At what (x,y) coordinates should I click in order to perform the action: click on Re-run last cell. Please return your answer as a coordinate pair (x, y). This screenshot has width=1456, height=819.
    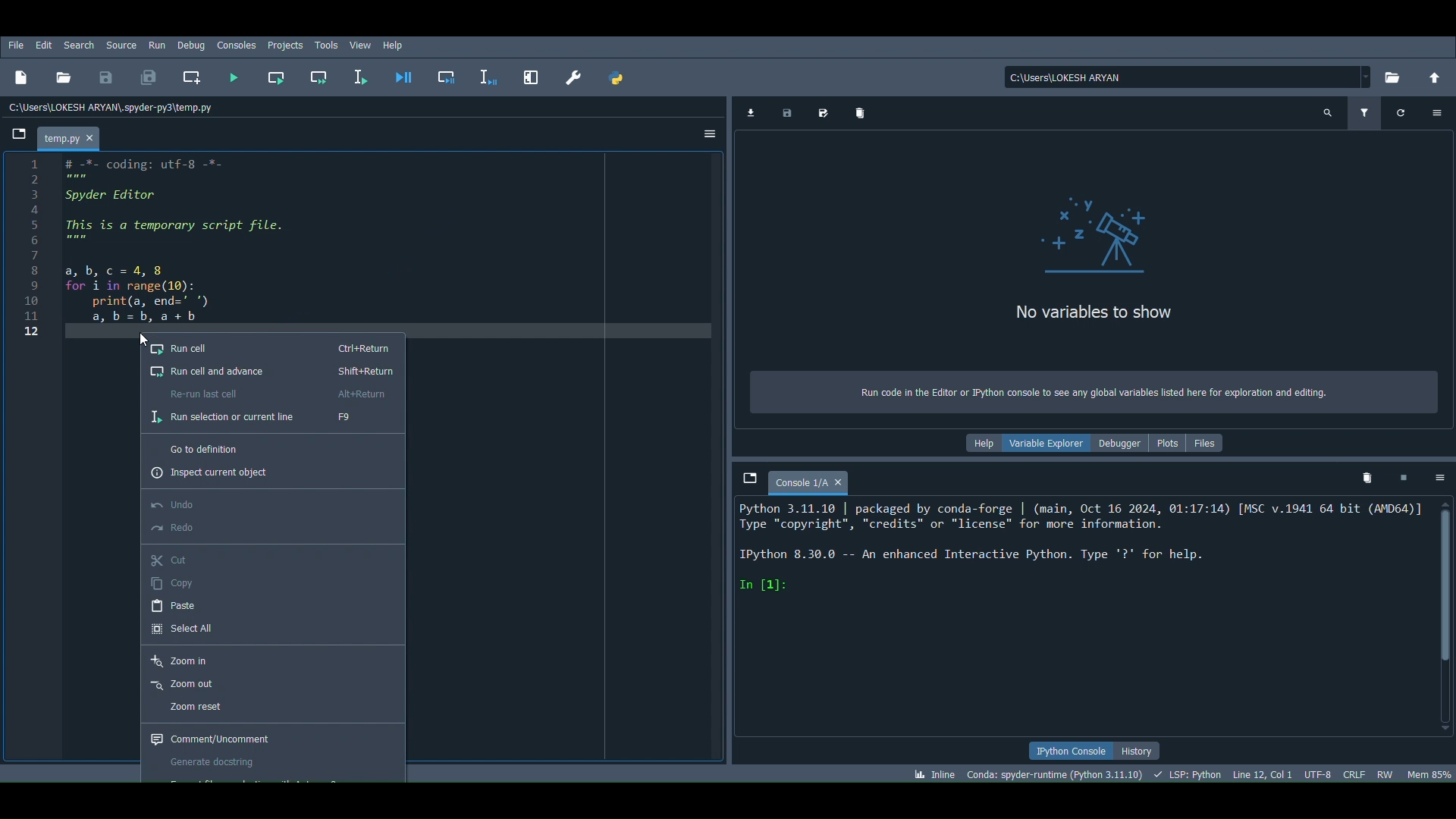
    Looking at the image, I should click on (270, 395).